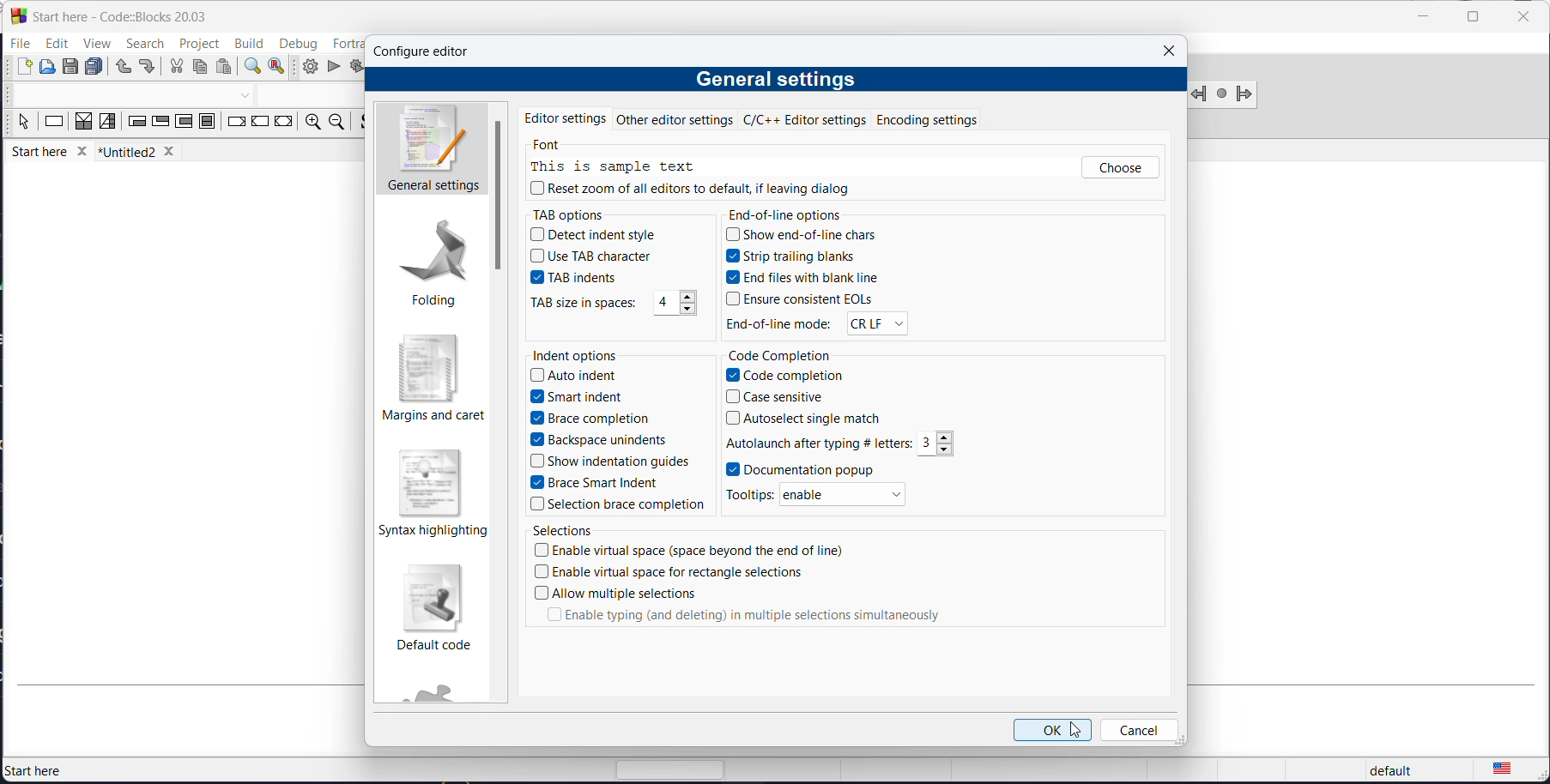  I want to click on decision, so click(84, 123).